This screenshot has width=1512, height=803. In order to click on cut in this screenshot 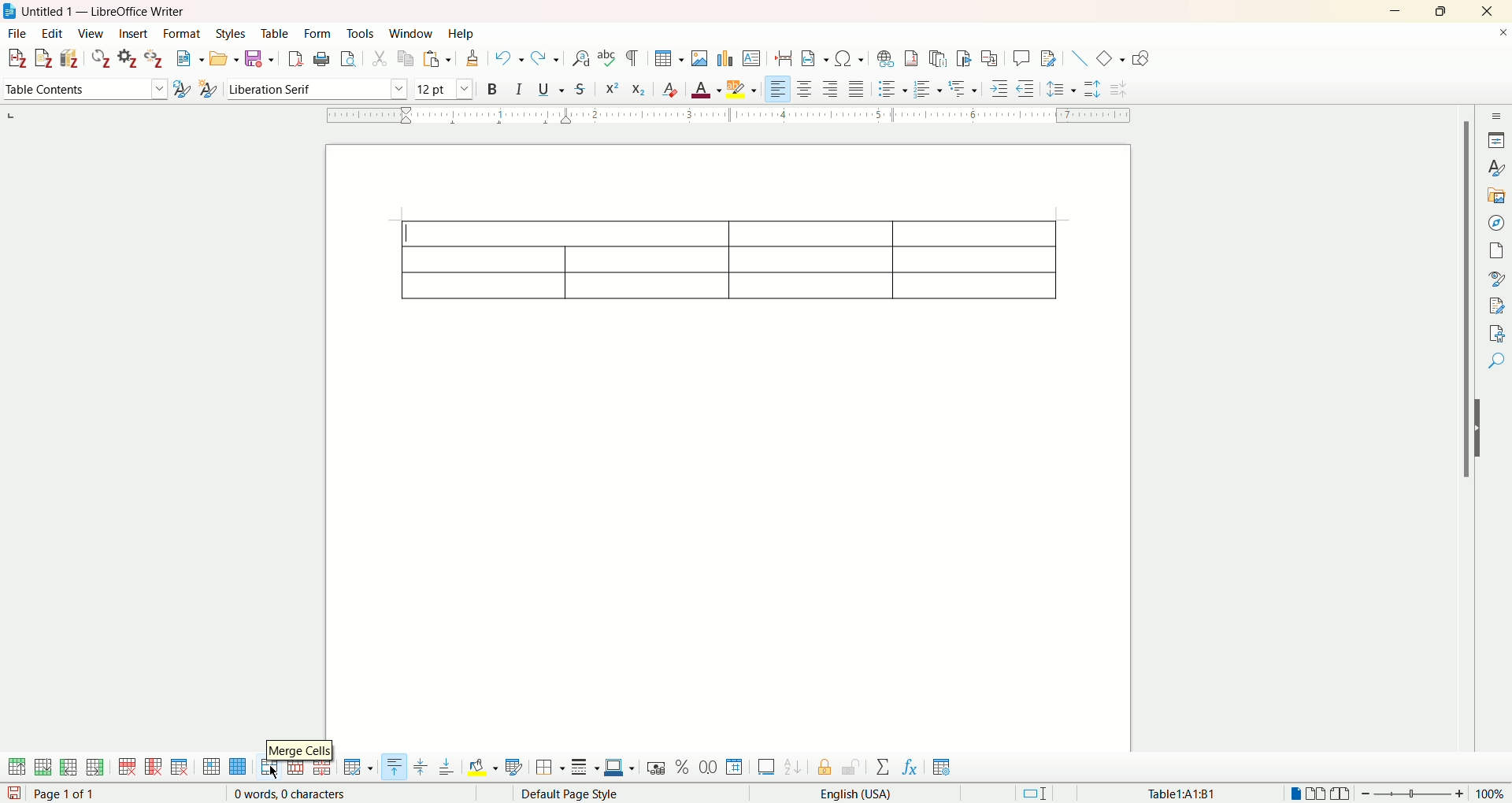, I will do `click(380, 57)`.